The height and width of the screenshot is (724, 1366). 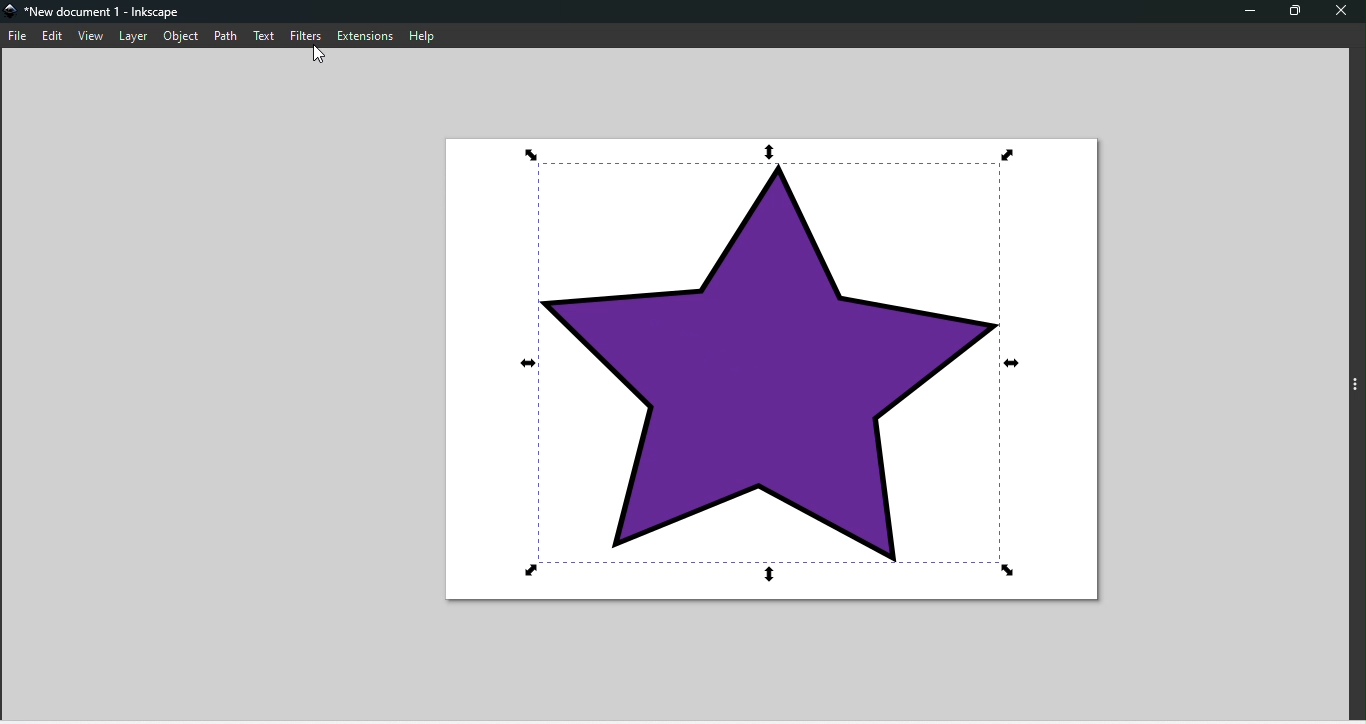 What do you see at coordinates (770, 363) in the screenshot?
I see `selected shape` at bounding box center [770, 363].